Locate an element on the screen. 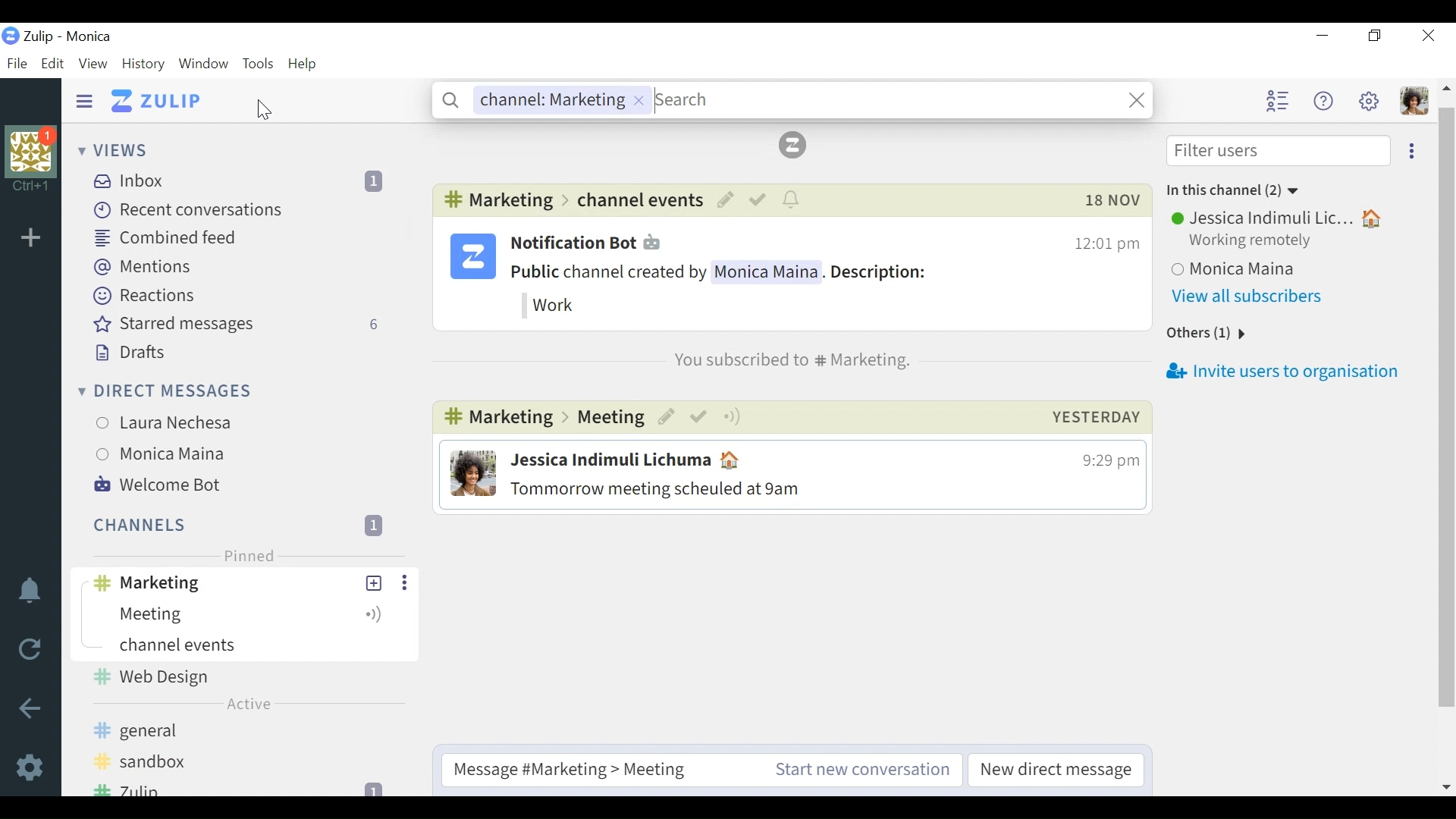  Channel events is located at coordinates (639, 201).